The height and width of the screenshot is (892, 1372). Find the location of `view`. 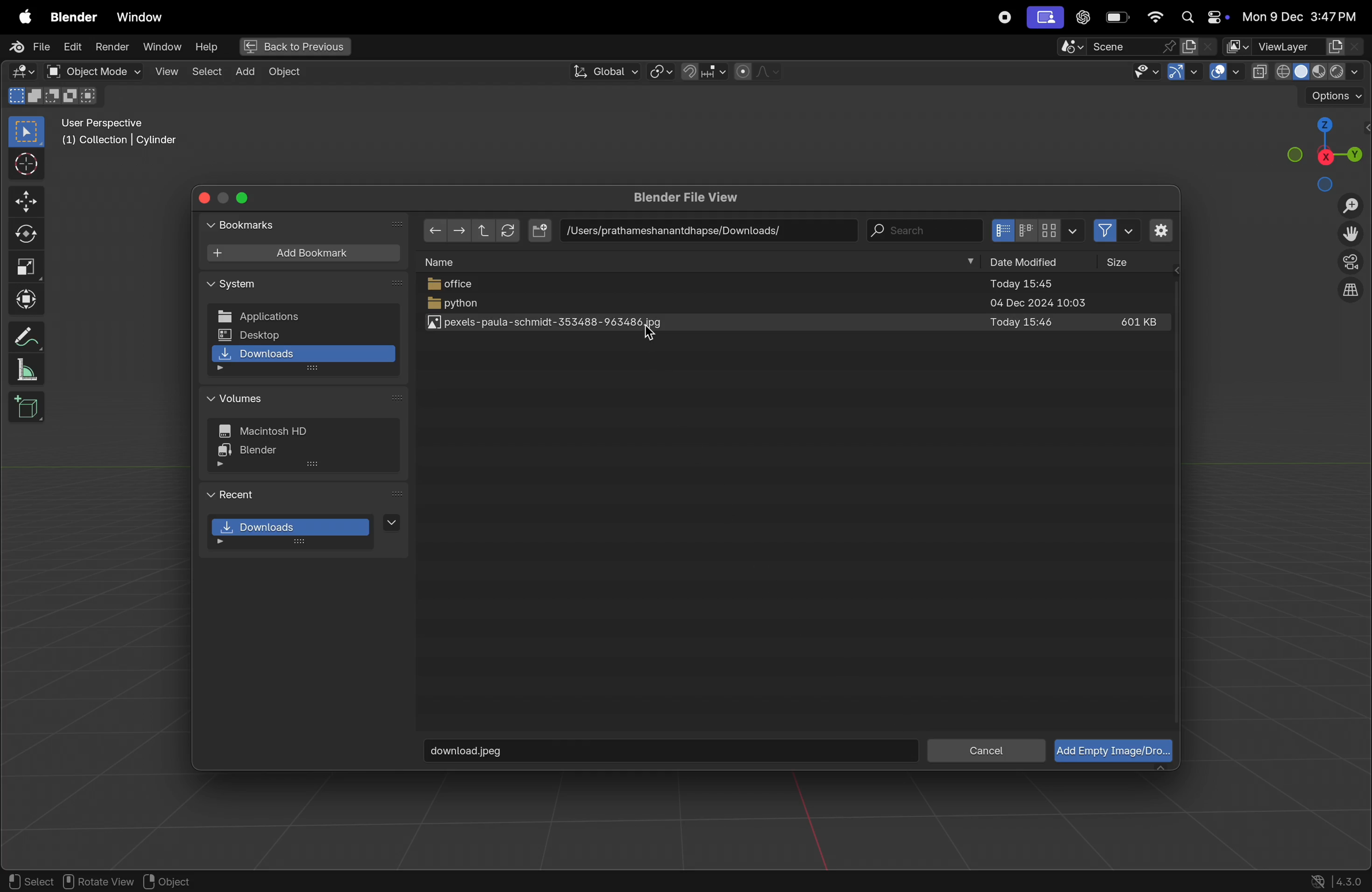

view is located at coordinates (164, 71).